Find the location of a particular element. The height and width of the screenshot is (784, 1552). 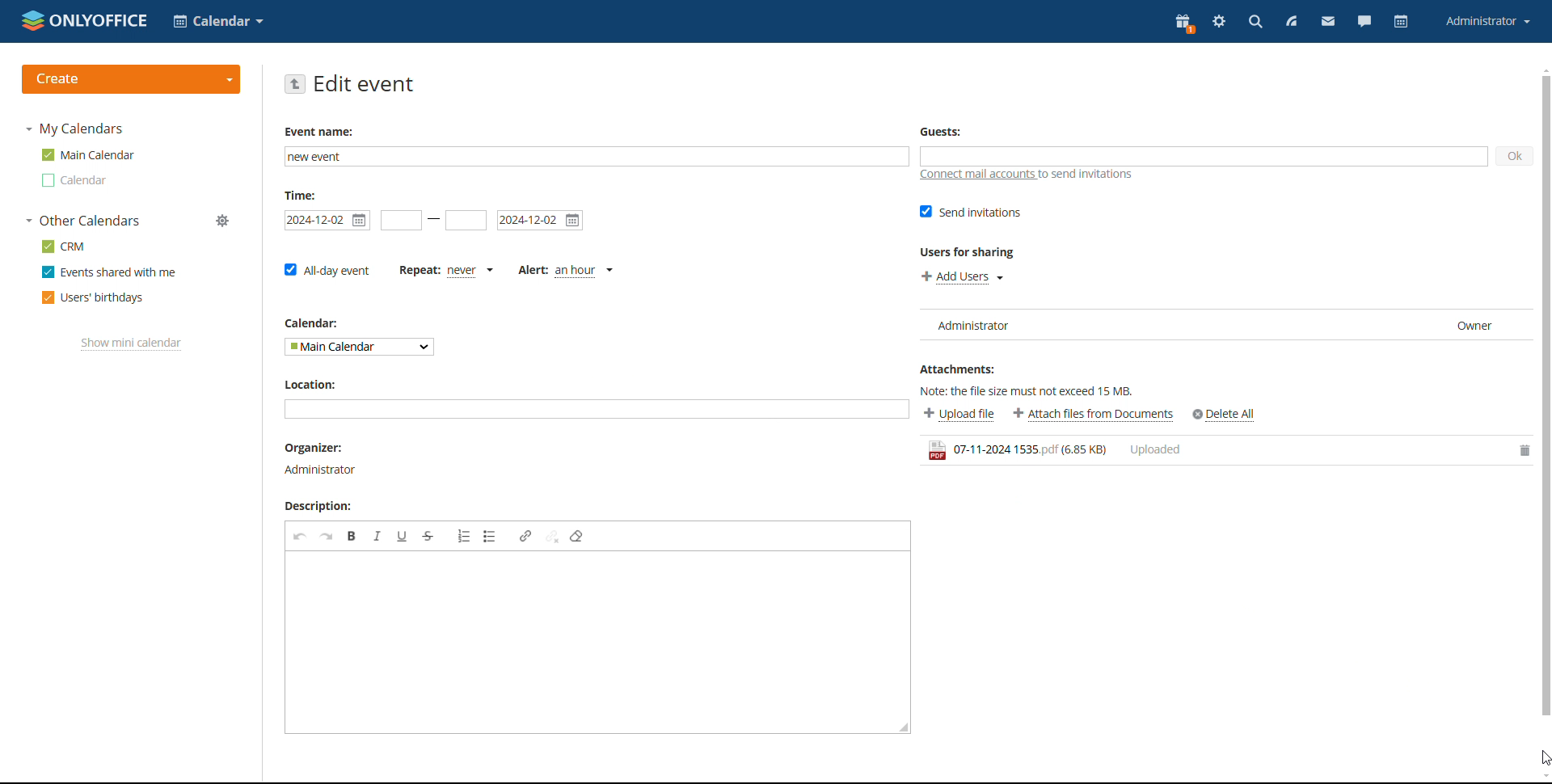

logo is located at coordinates (86, 20).